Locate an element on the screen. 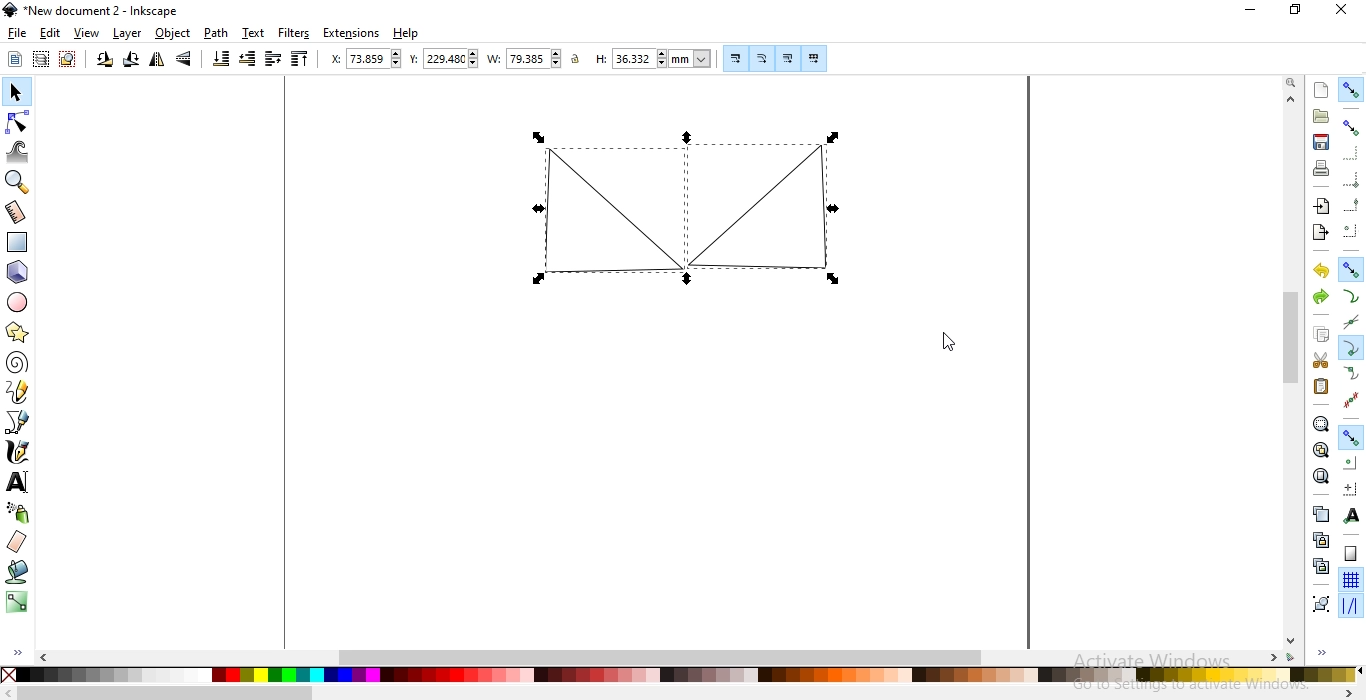  scrollbar is located at coordinates (682, 693).